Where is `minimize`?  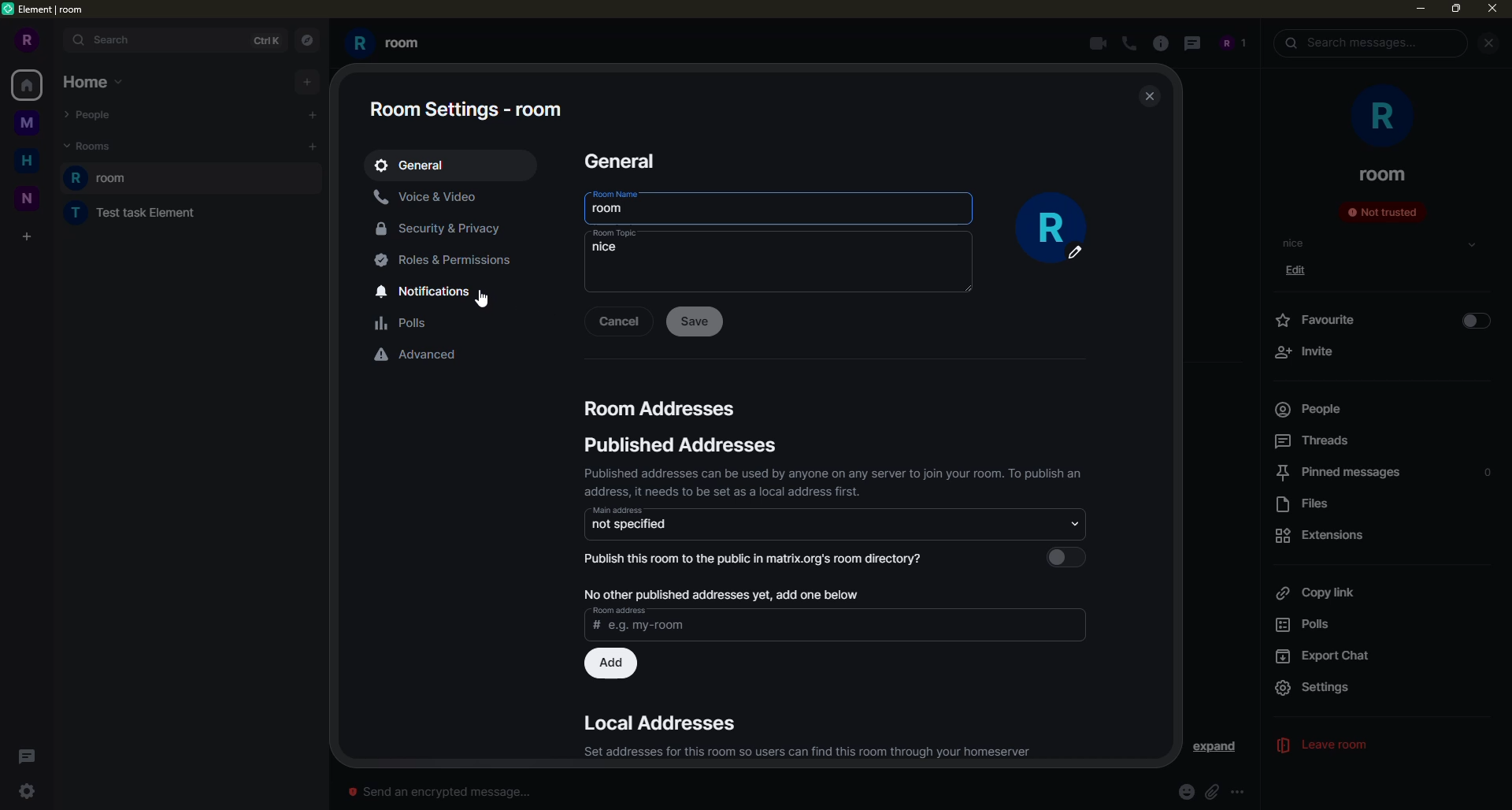 minimize is located at coordinates (1420, 12).